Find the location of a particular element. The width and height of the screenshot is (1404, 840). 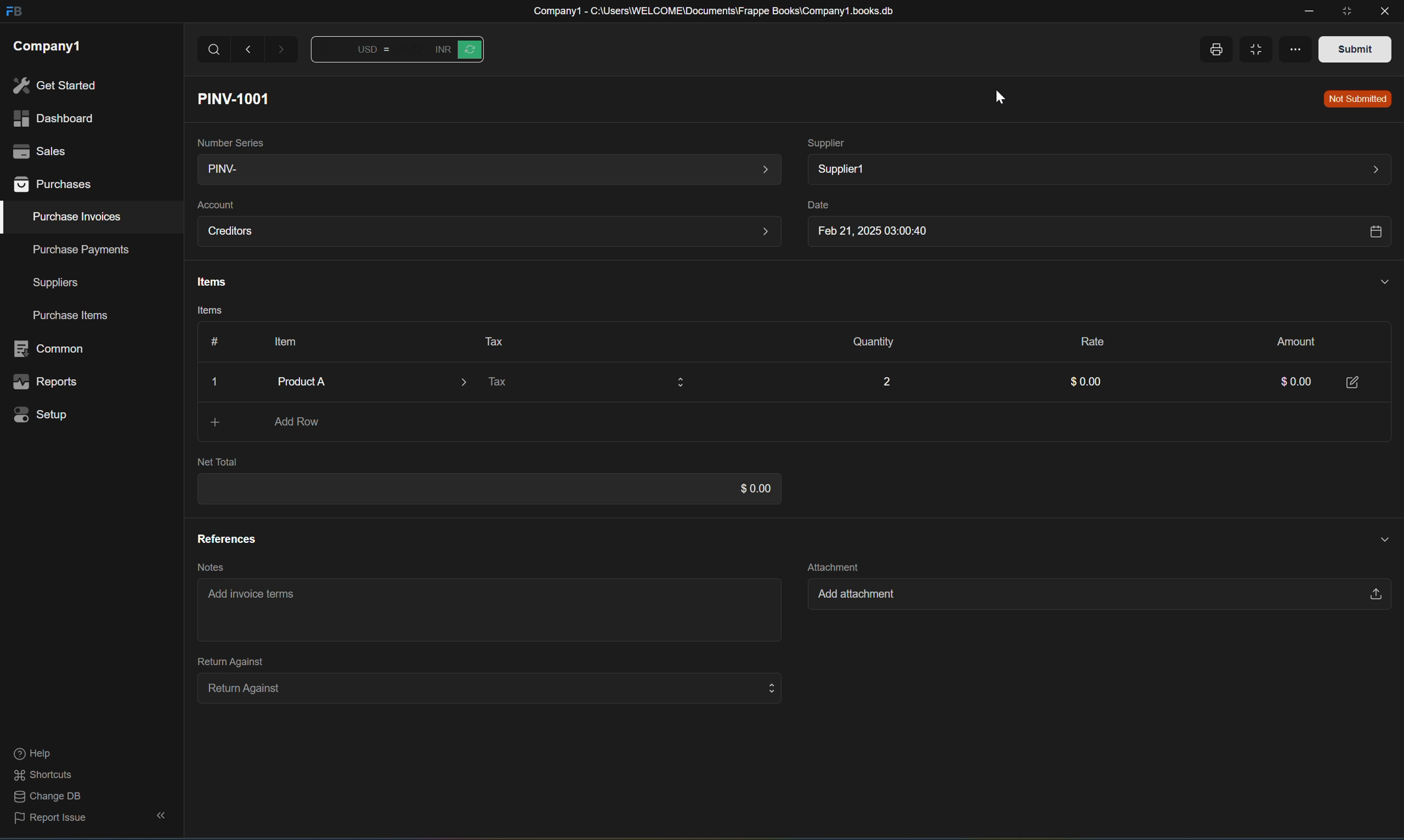

help is located at coordinates (32, 755).